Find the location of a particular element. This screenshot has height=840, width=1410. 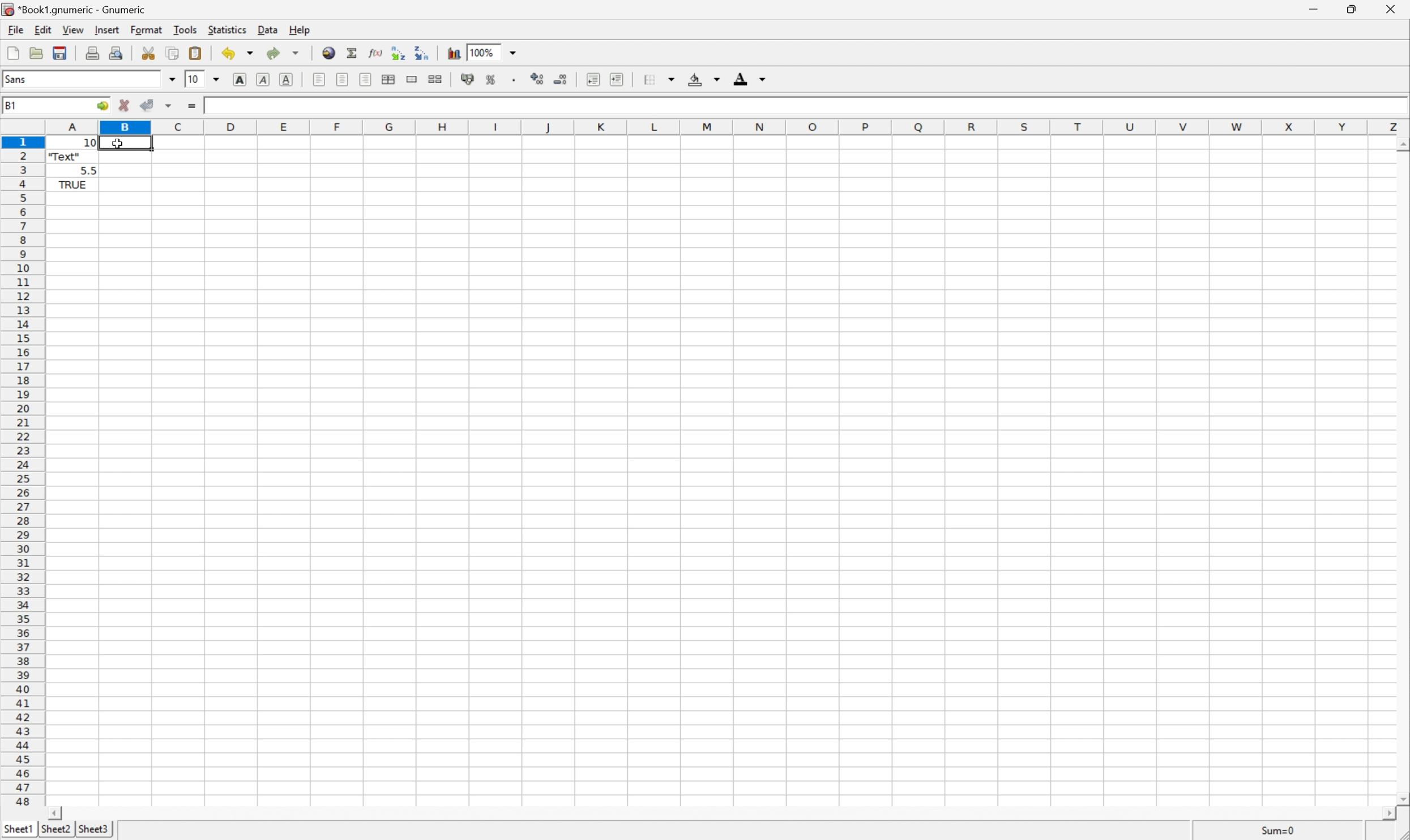

Background is located at coordinates (703, 78).